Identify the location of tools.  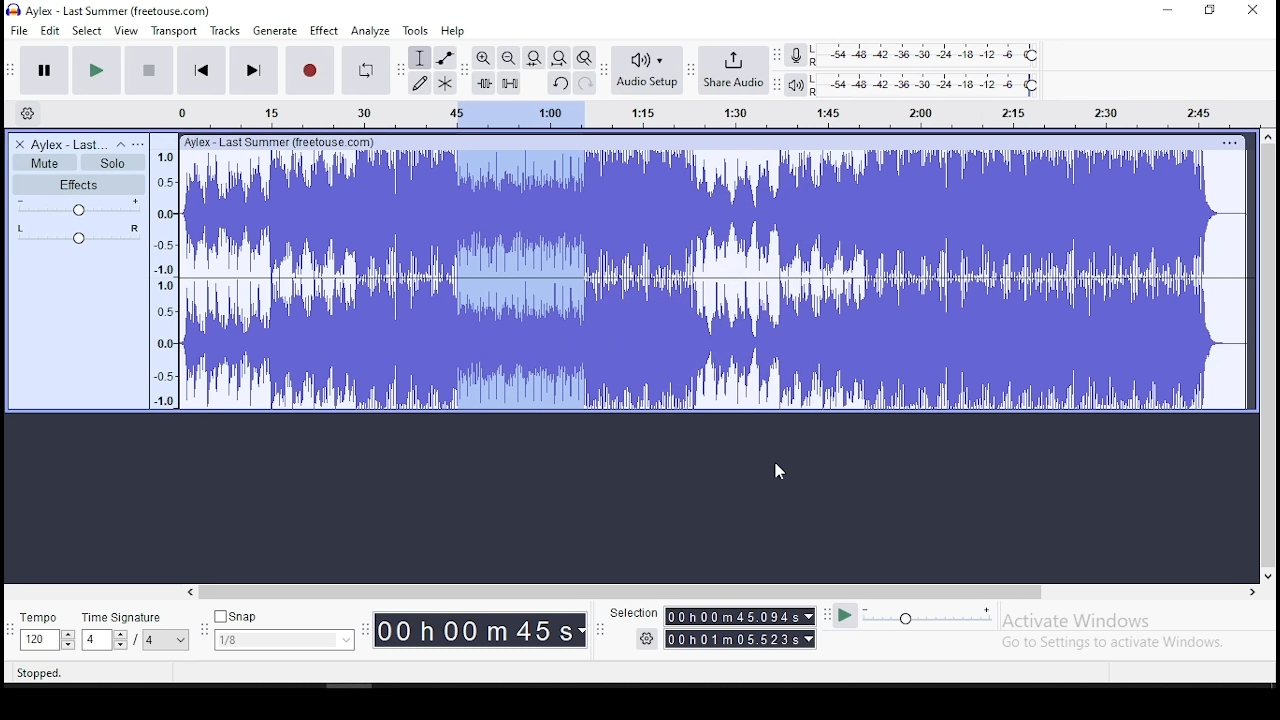
(416, 31).